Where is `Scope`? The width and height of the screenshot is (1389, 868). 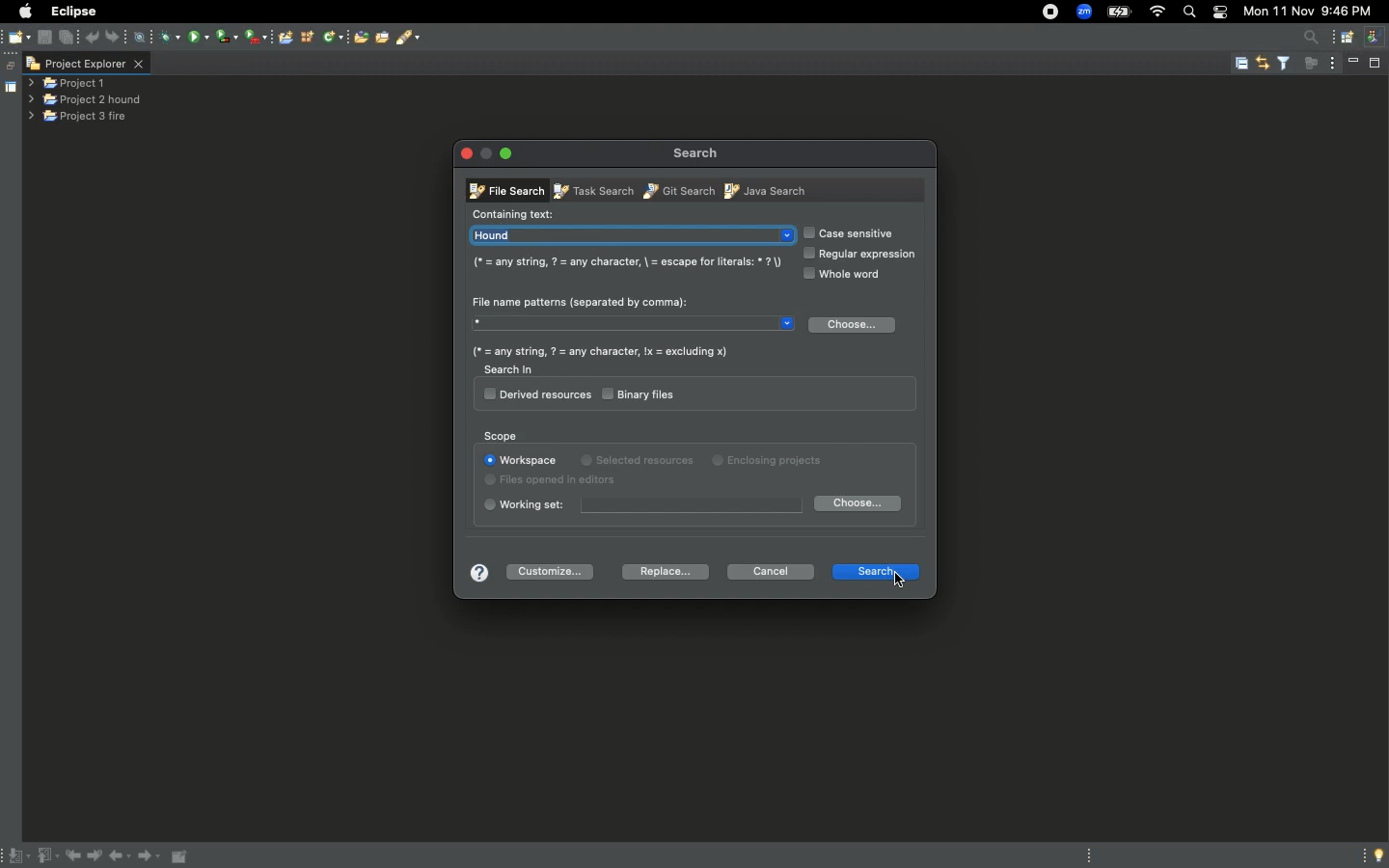 Scope is located at coordinates (503, 435).